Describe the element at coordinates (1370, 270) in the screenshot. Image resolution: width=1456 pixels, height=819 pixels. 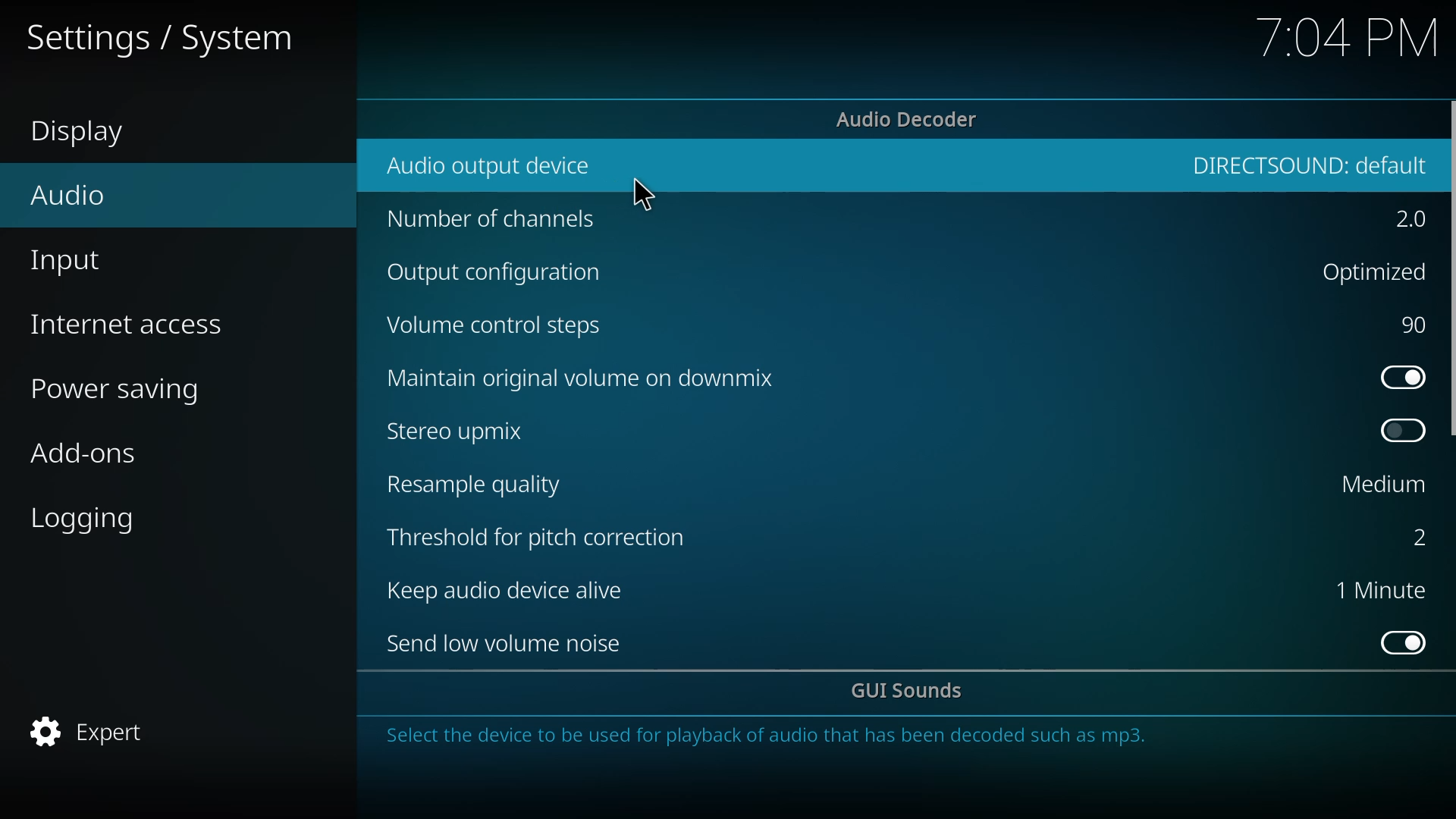
I see `optimized` at that location.